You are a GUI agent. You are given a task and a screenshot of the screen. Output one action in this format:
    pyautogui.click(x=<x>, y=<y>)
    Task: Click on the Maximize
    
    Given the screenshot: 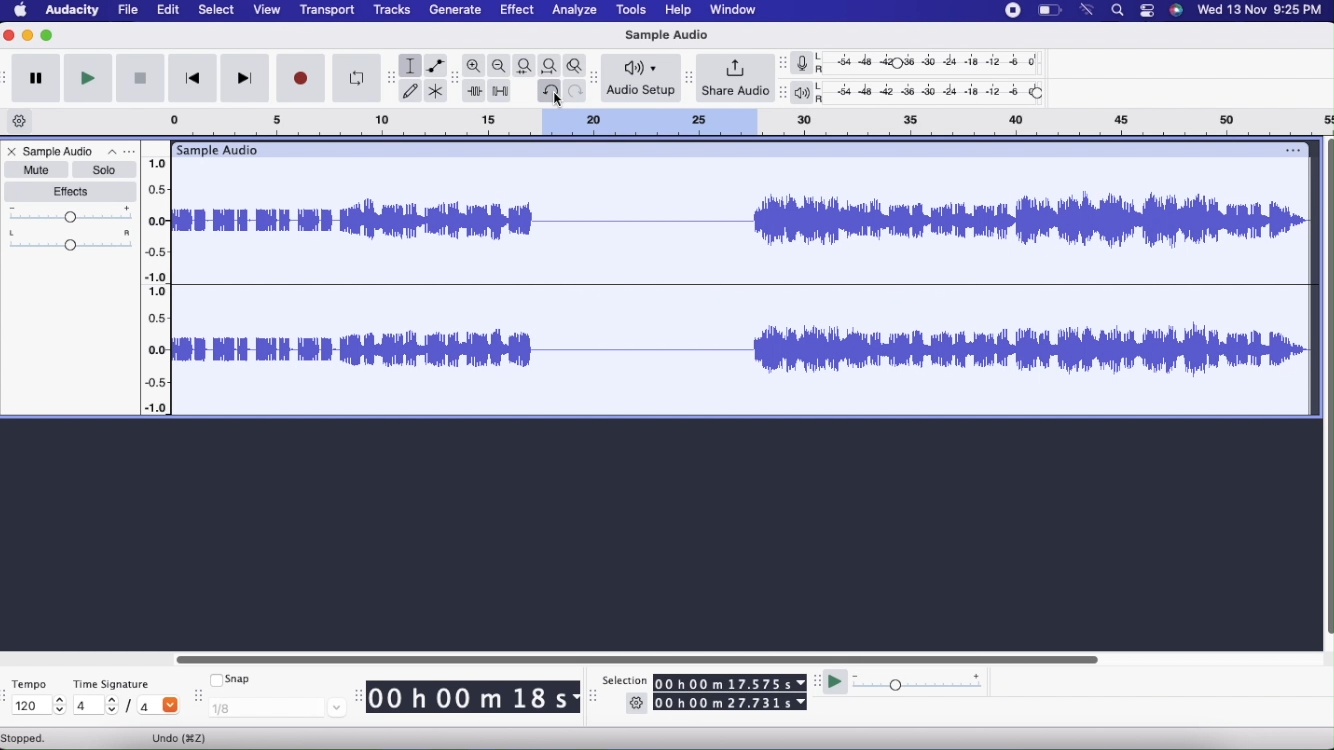 What is the action you would take?
    pyautogui.click(x=50, y=35)
    